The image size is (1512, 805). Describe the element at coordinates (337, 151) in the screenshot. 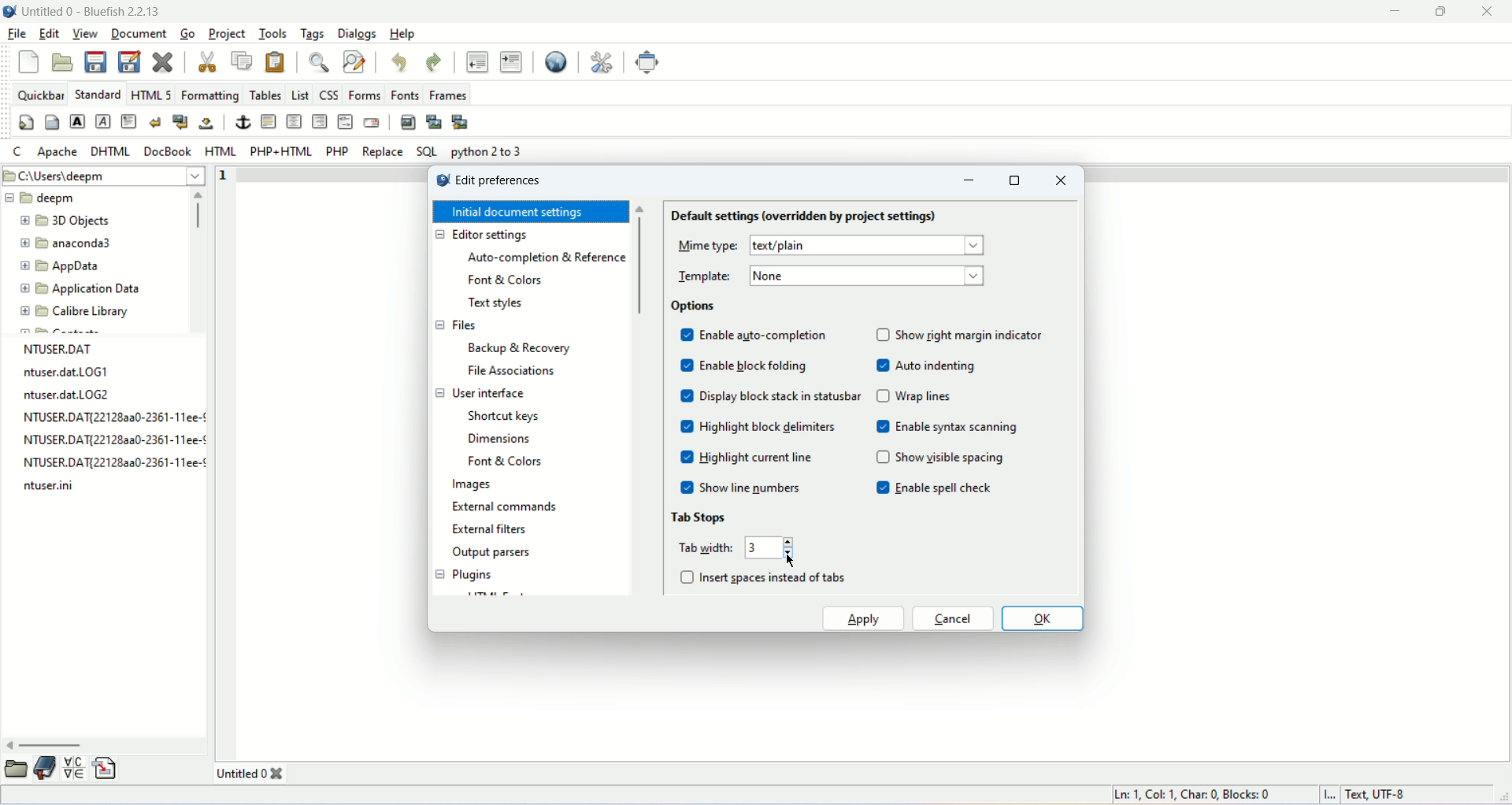

I see `PHP` at that location.